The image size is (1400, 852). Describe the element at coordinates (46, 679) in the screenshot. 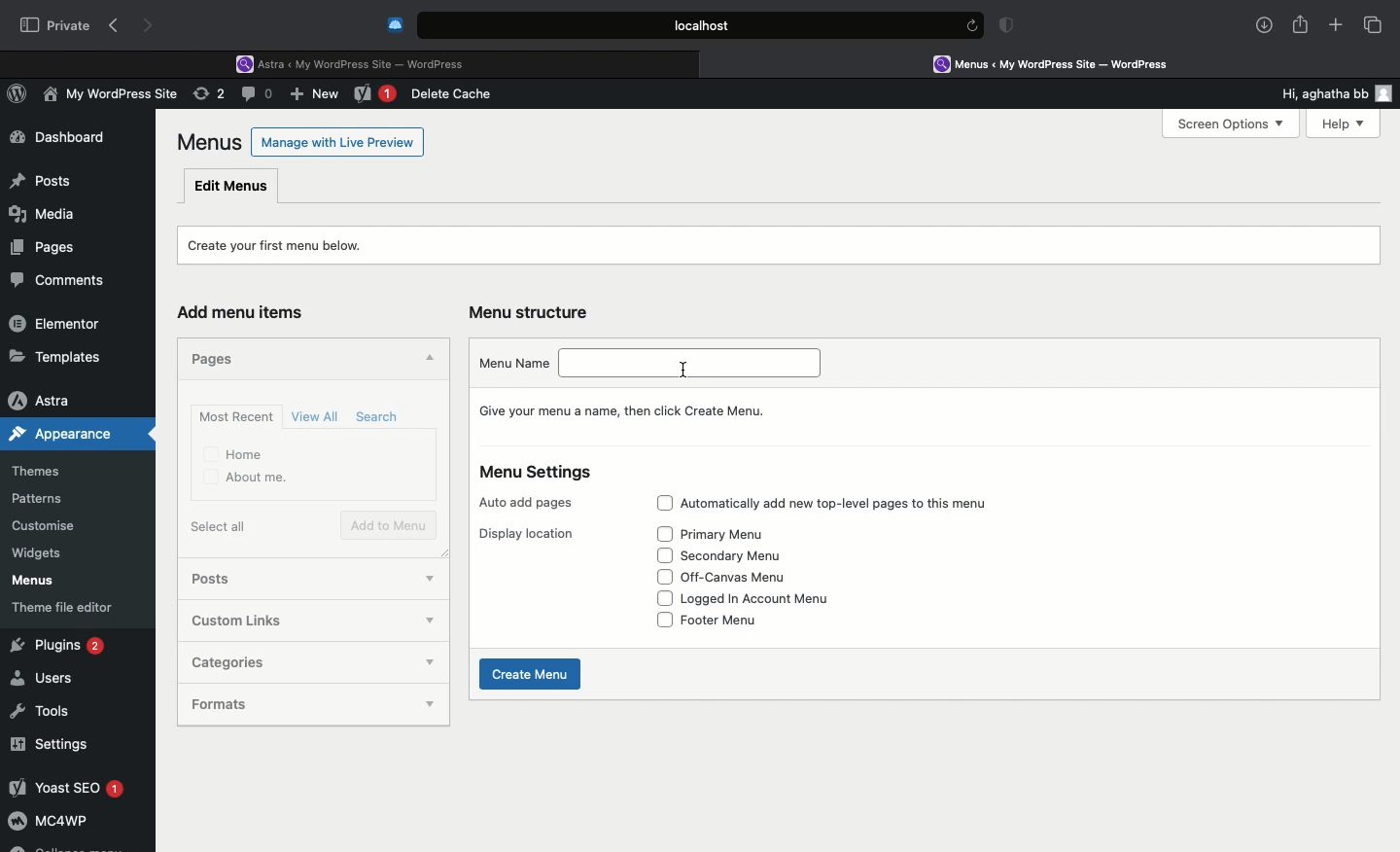

I see `Users` at that location.